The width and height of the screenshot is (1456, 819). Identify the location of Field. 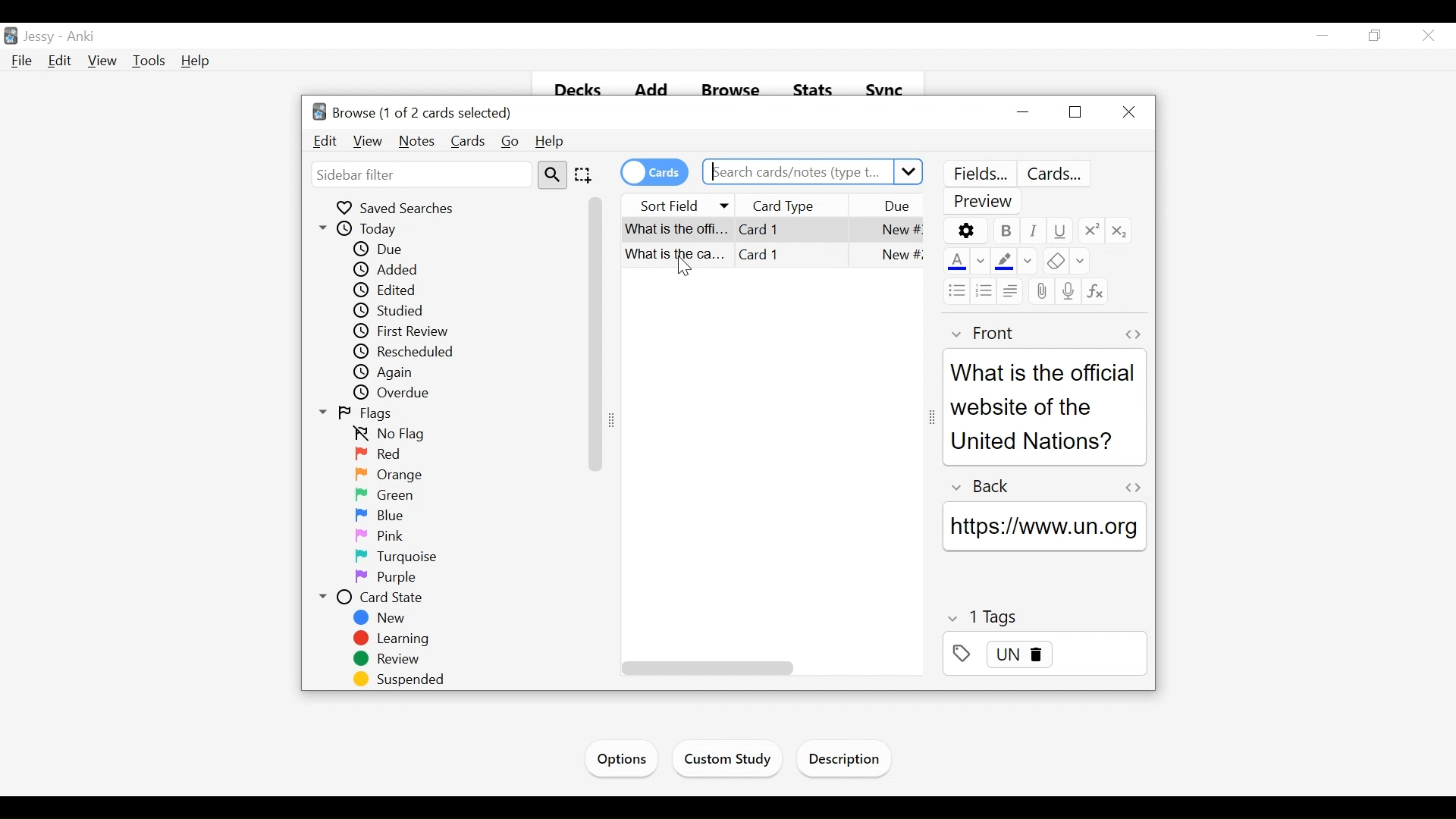
(981, 334).